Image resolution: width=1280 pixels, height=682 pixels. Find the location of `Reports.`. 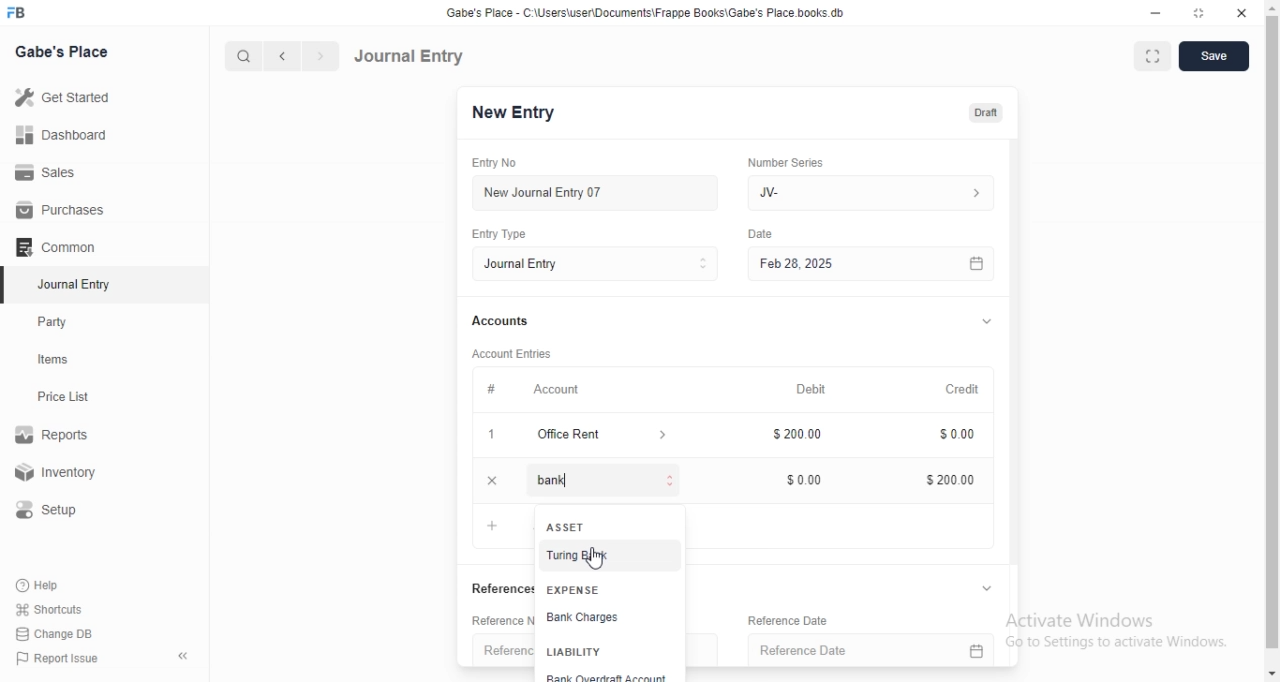

Reports. is located at coordinates (55, 438).